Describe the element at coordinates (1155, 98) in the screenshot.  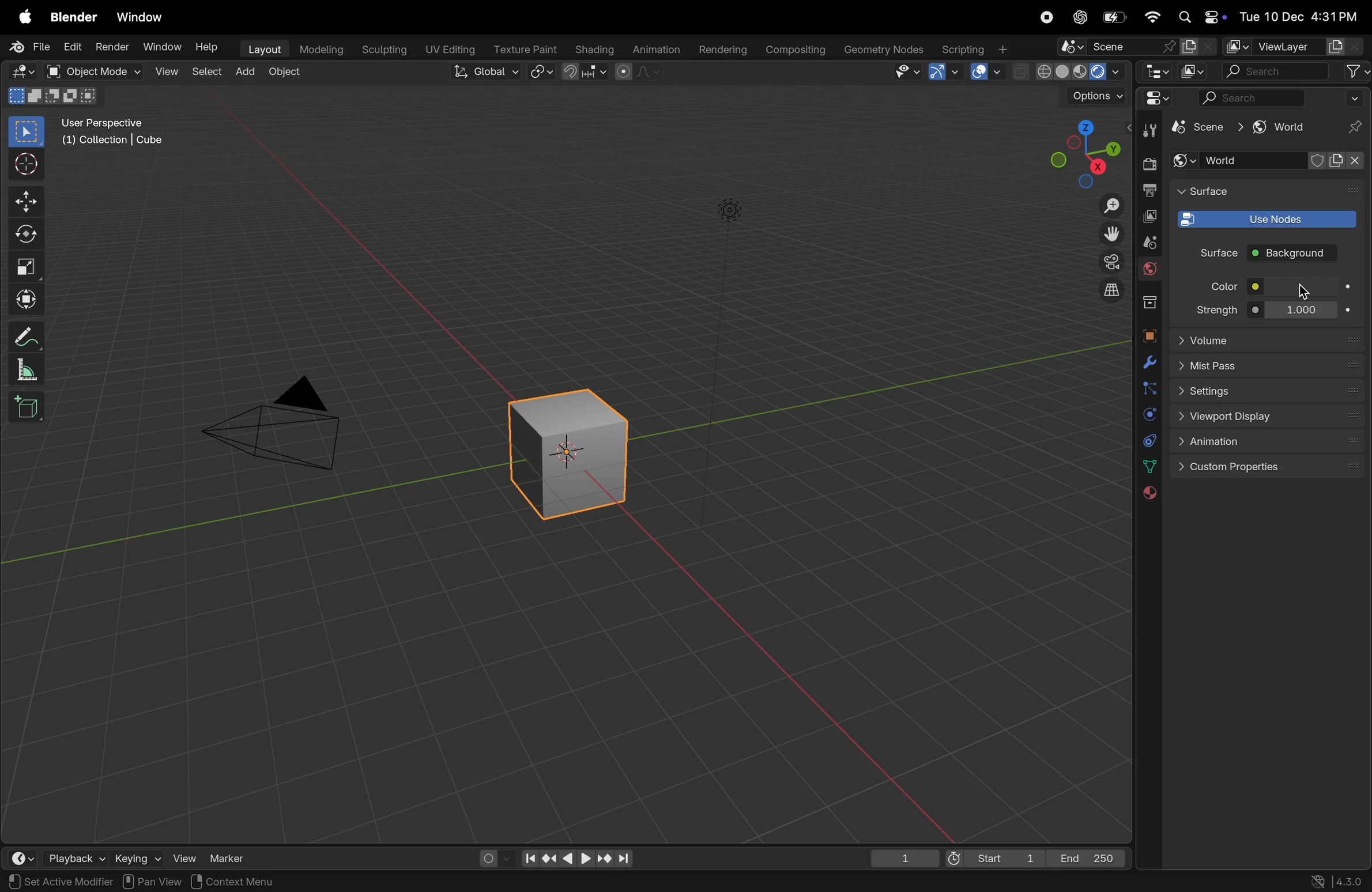
I see `Editor mode` at that location.